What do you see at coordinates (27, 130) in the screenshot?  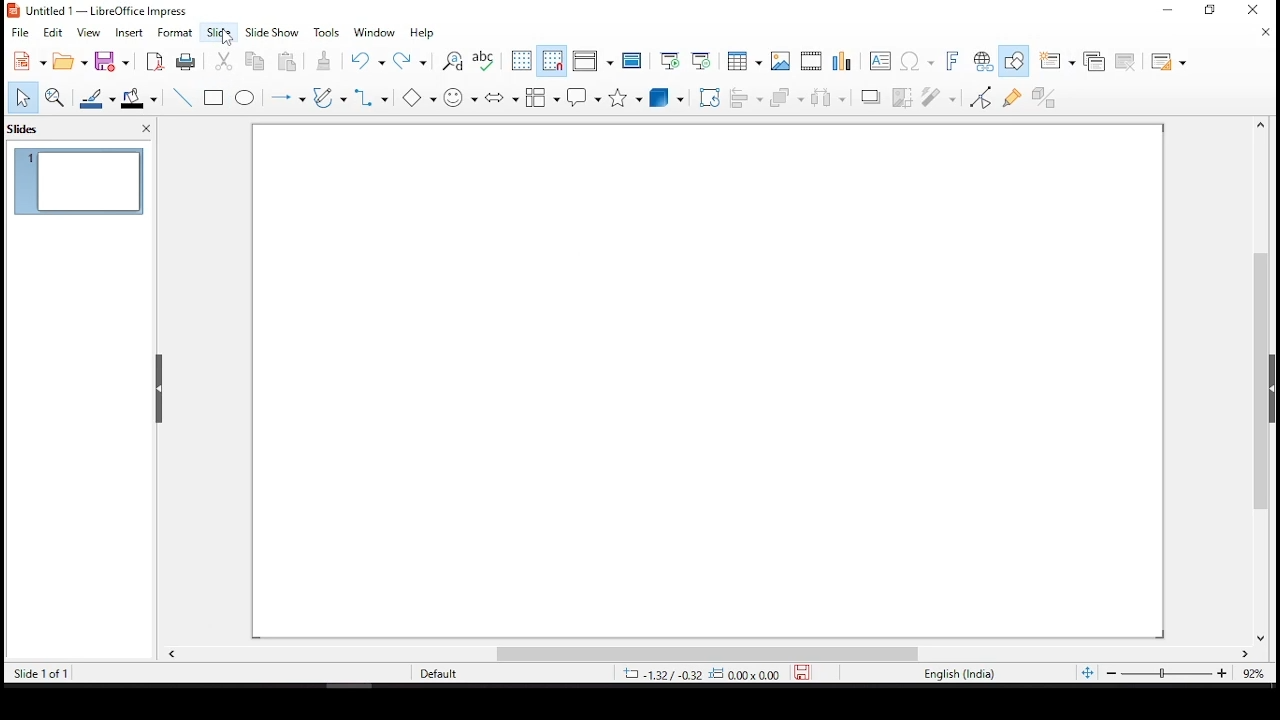 I see `slides` at bounding box center [27, 130].